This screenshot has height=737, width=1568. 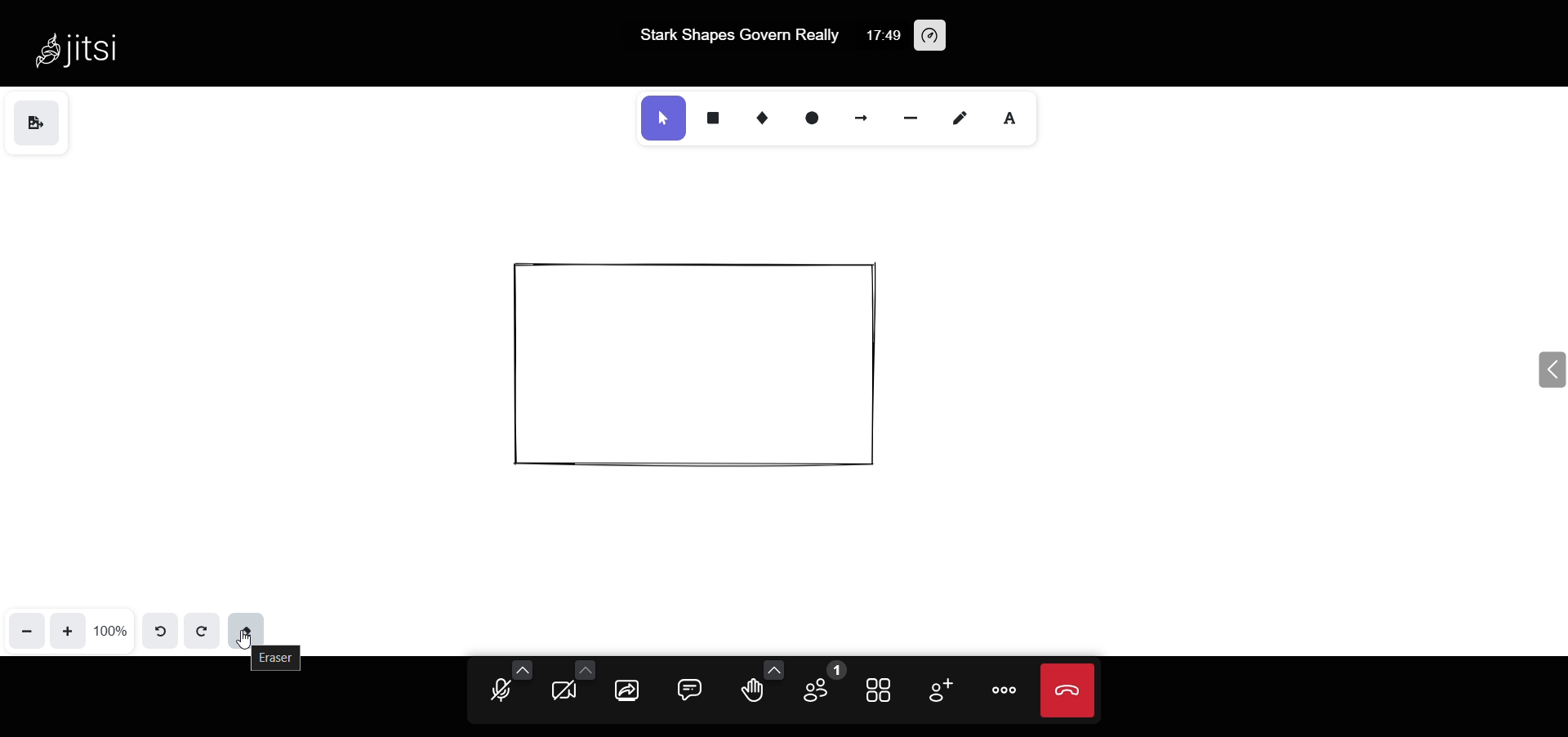 What do you see at coordinates (250, 627) in the screenshot?
I see `eraser` at bounding box center [250, 627].